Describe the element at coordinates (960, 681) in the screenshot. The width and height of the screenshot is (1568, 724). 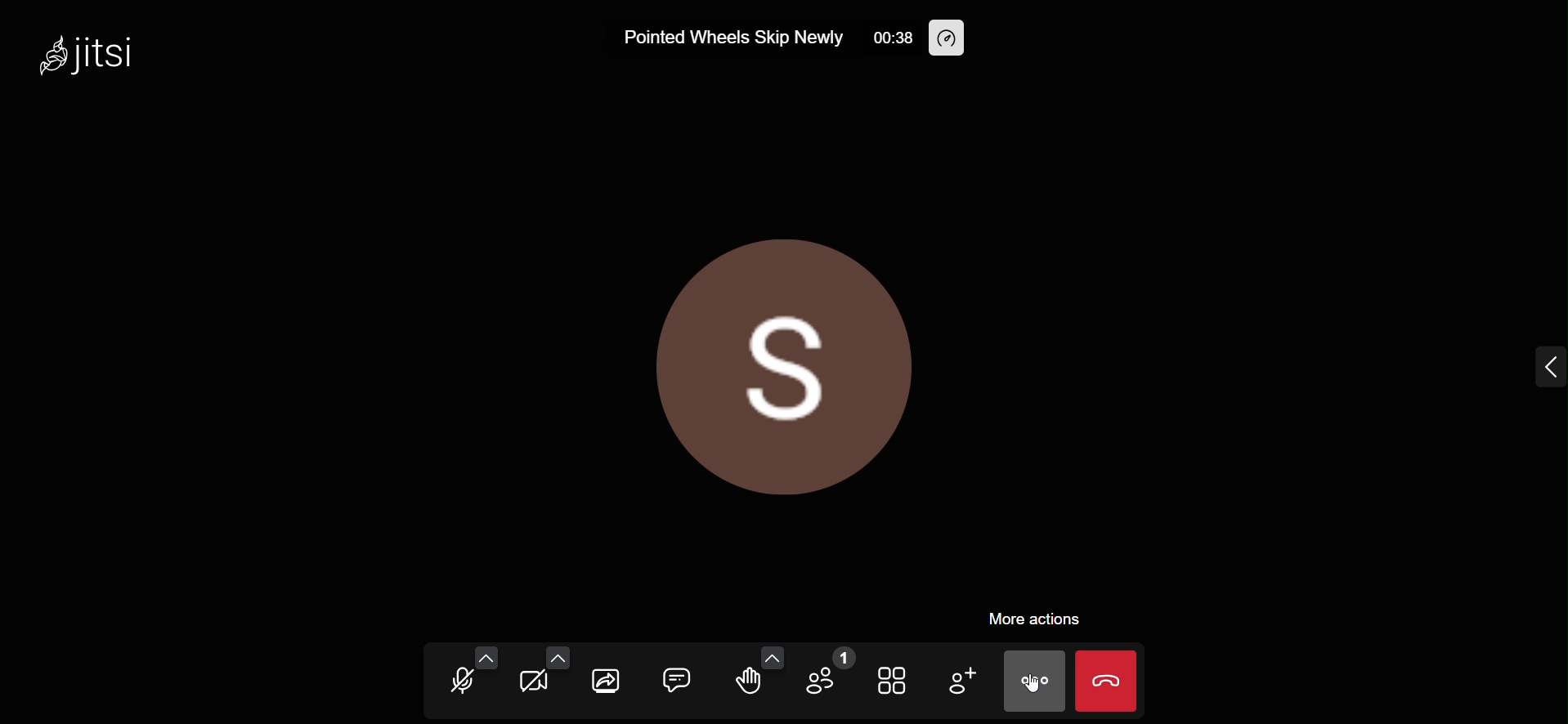
I see `add participant` at that location.